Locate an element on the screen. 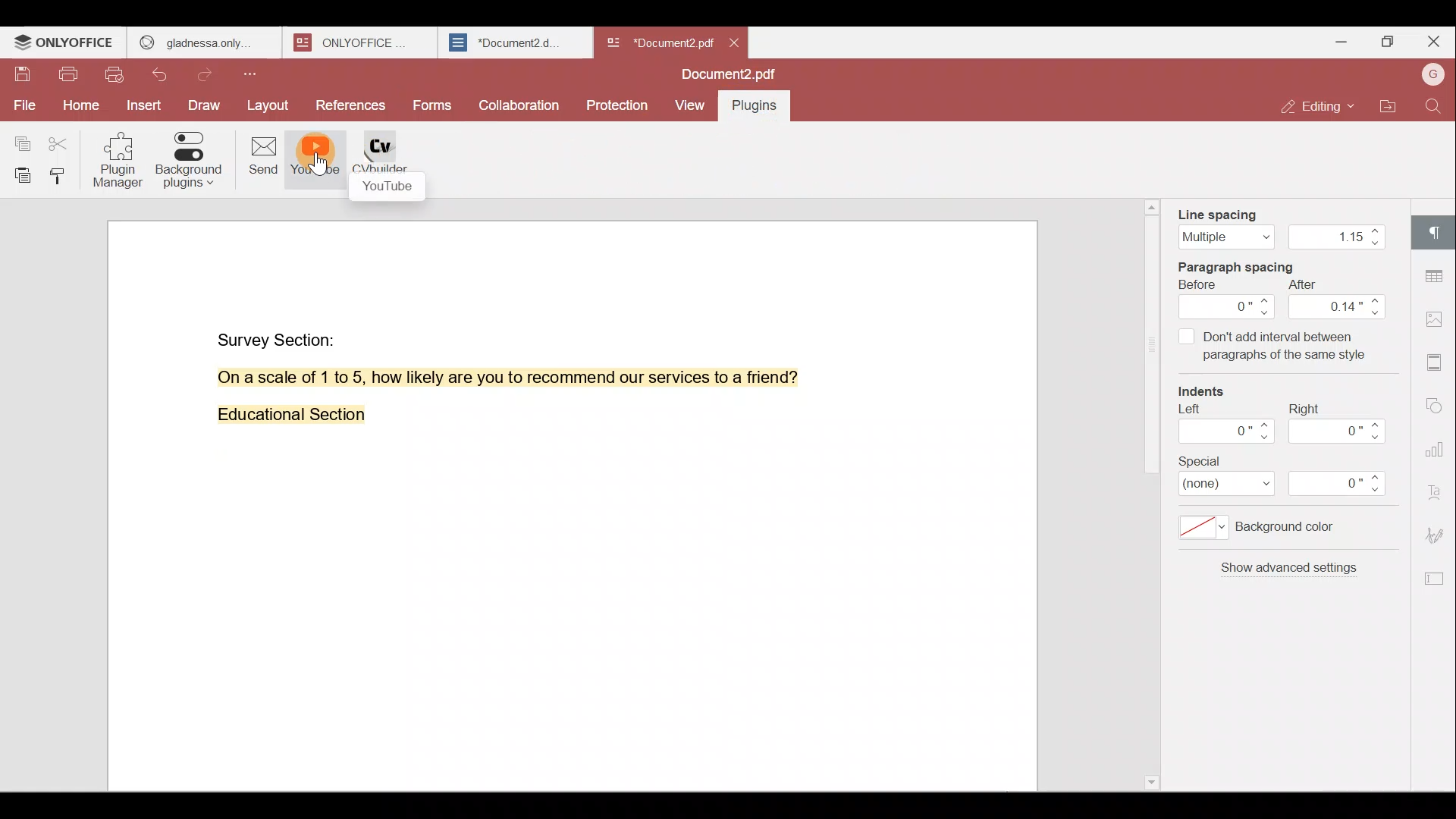 The width and height of the screenshot is (1456, 819). References is located at coordinates (352, 107).